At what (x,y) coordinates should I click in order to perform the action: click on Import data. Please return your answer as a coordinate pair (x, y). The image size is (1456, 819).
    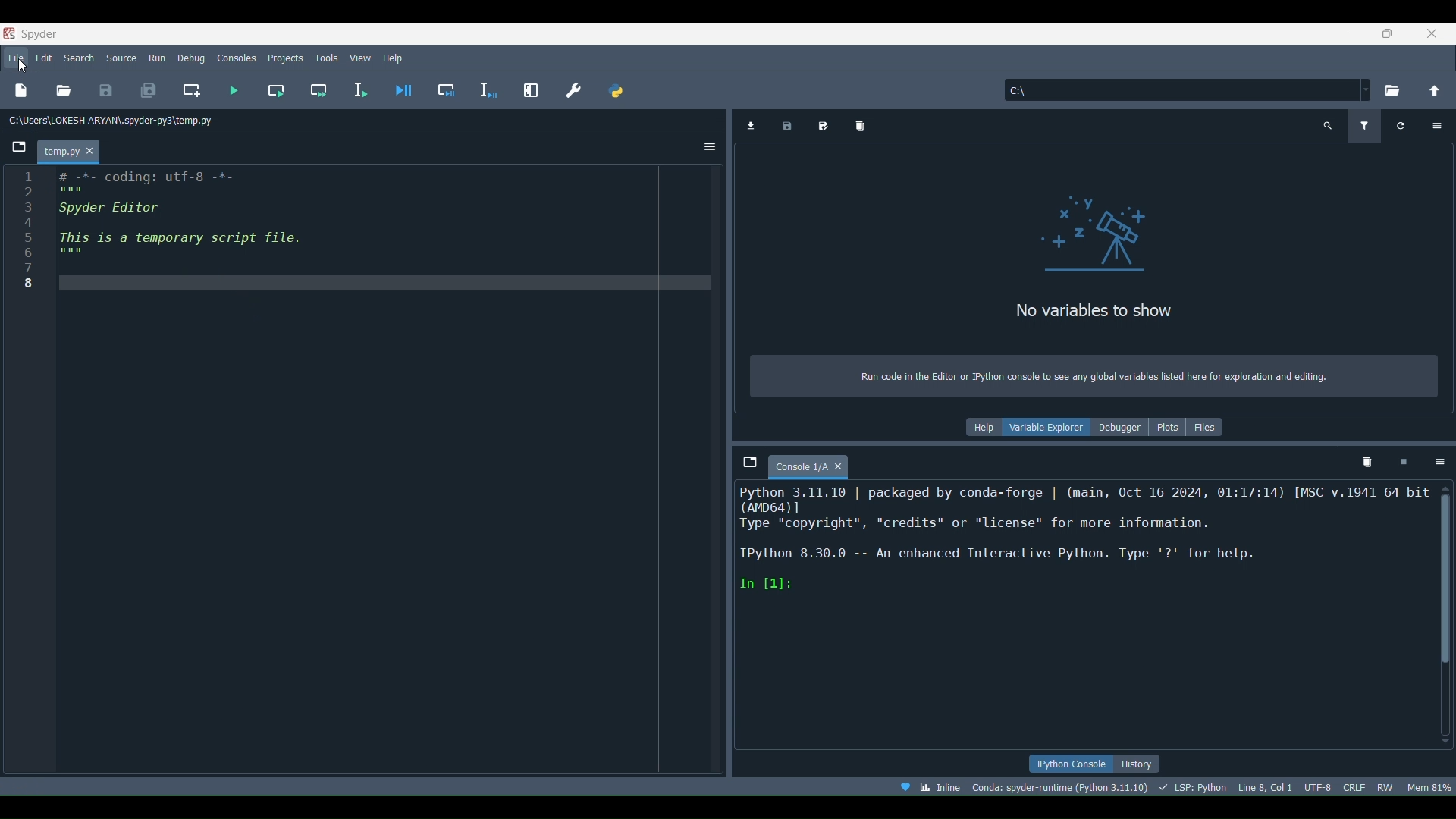
    Looking at the image, I should click on (754, 124).